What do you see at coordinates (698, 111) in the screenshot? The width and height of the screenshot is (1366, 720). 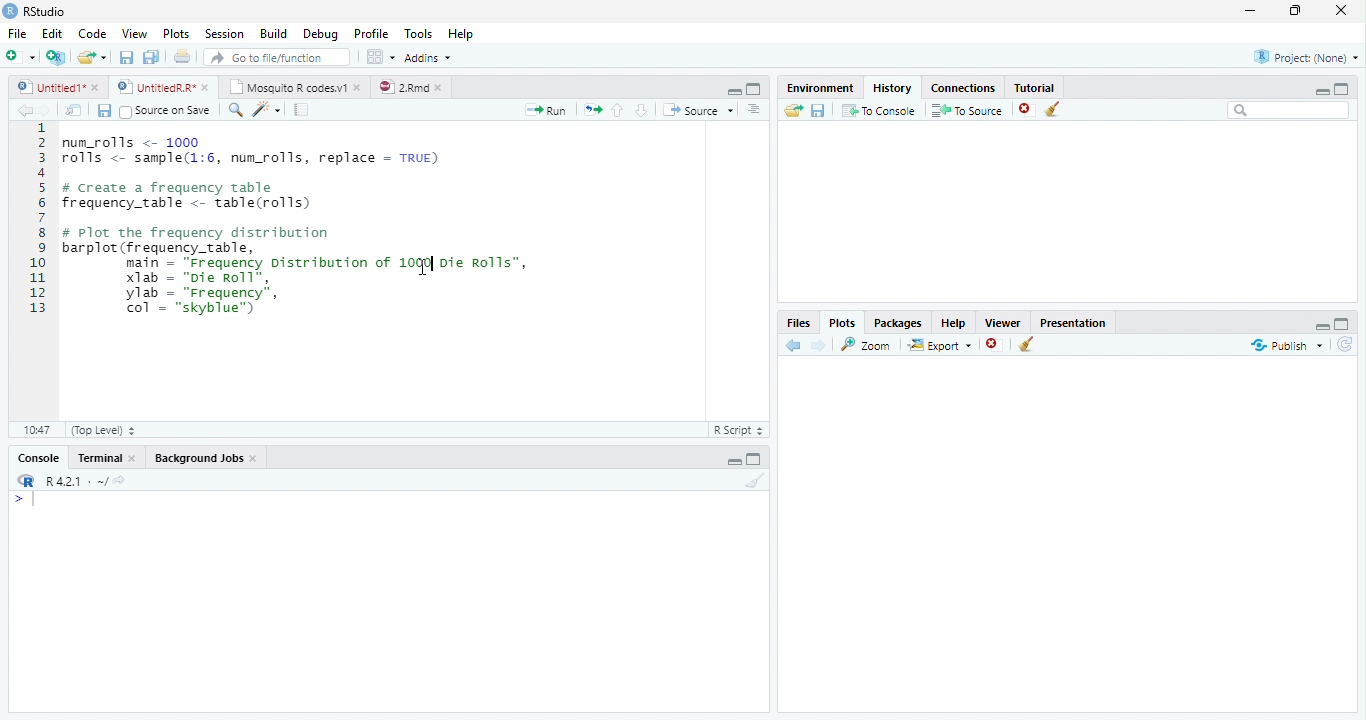 I see `Source` at bounding box center [698, 111].